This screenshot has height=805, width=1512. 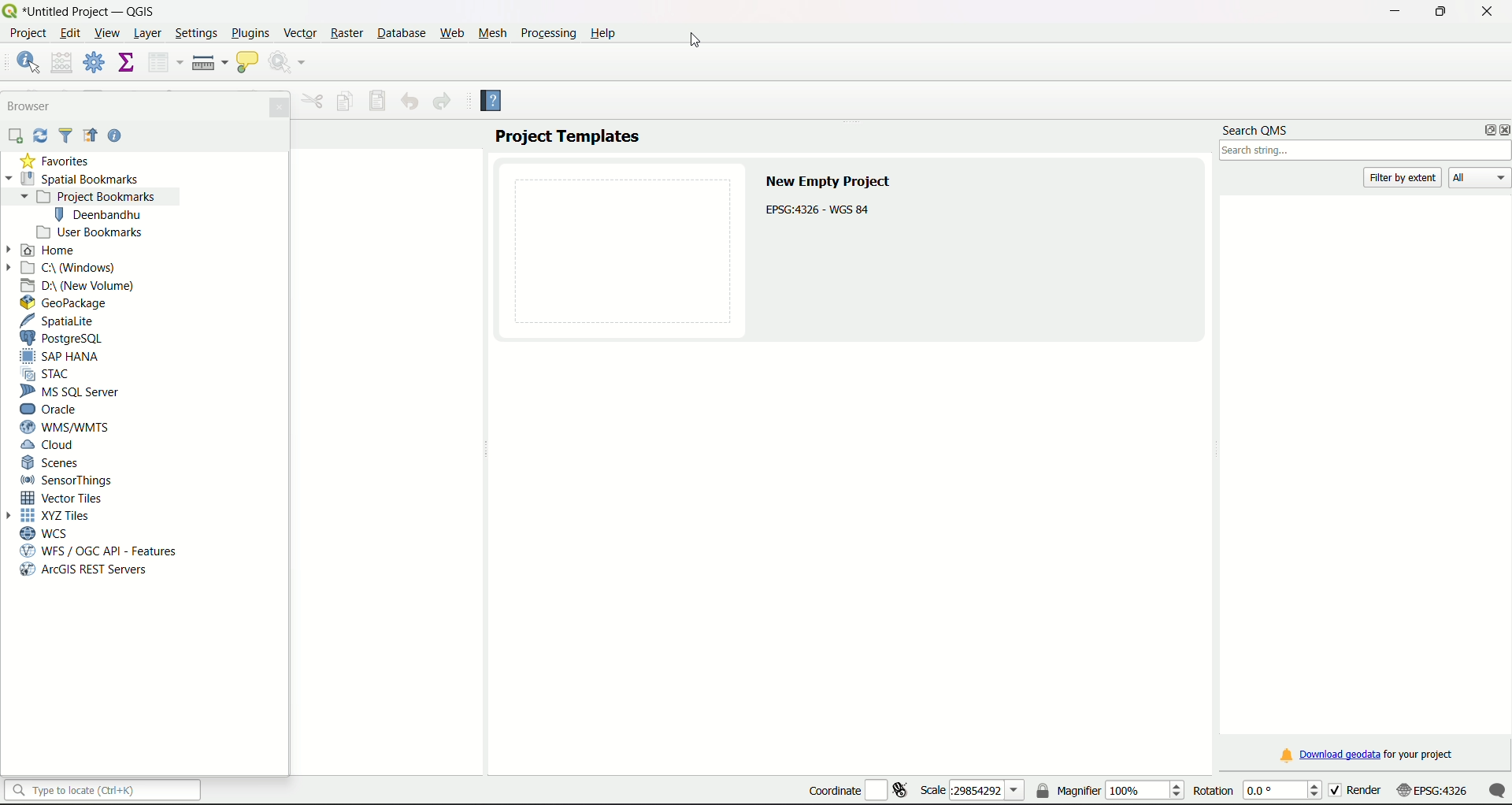 I want to click on Vector Tiles, so click(x=63, y=497).